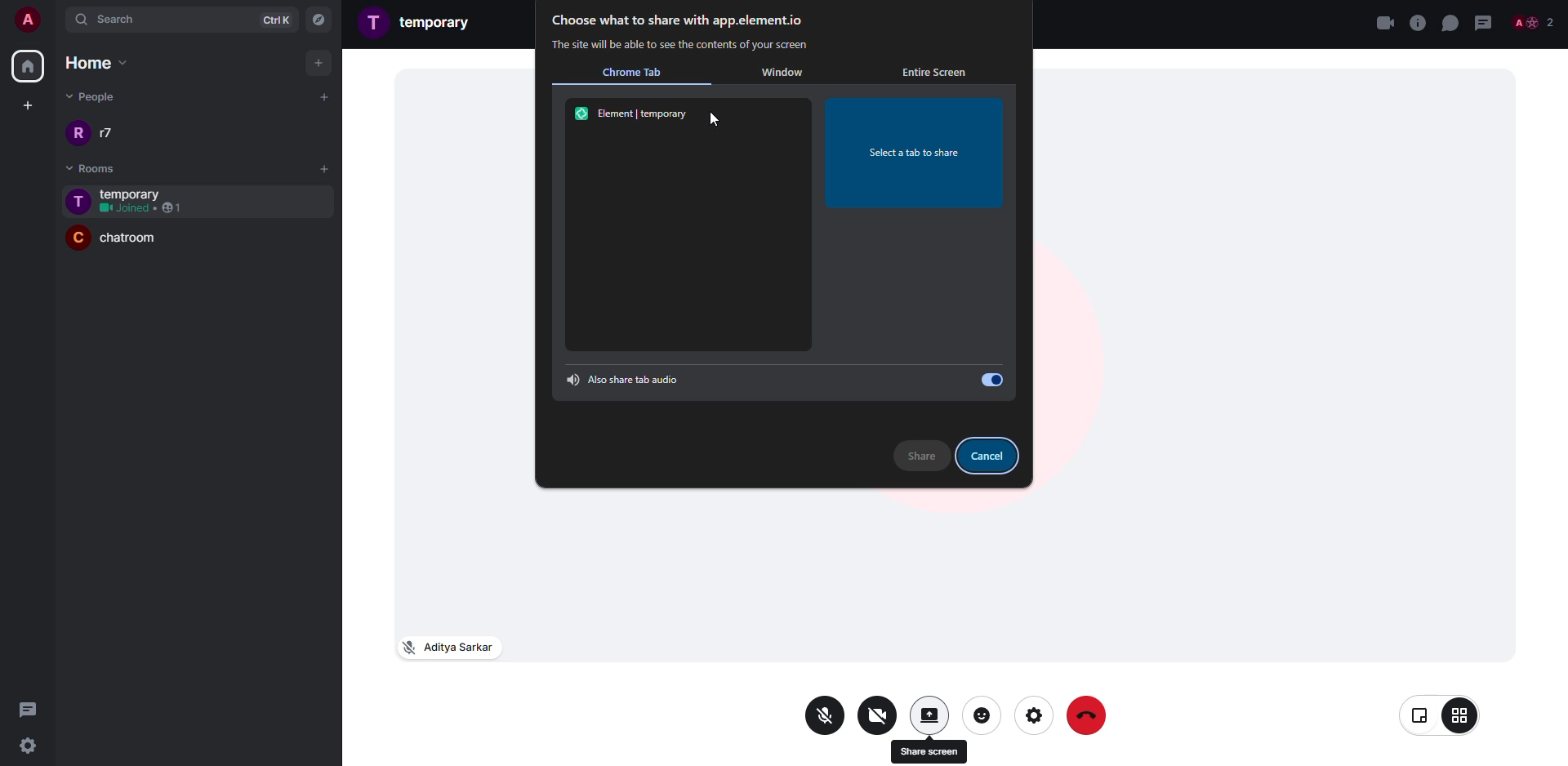  Describe the element at coordinates (140, 242) in the screenshot. I see `room` at that location.